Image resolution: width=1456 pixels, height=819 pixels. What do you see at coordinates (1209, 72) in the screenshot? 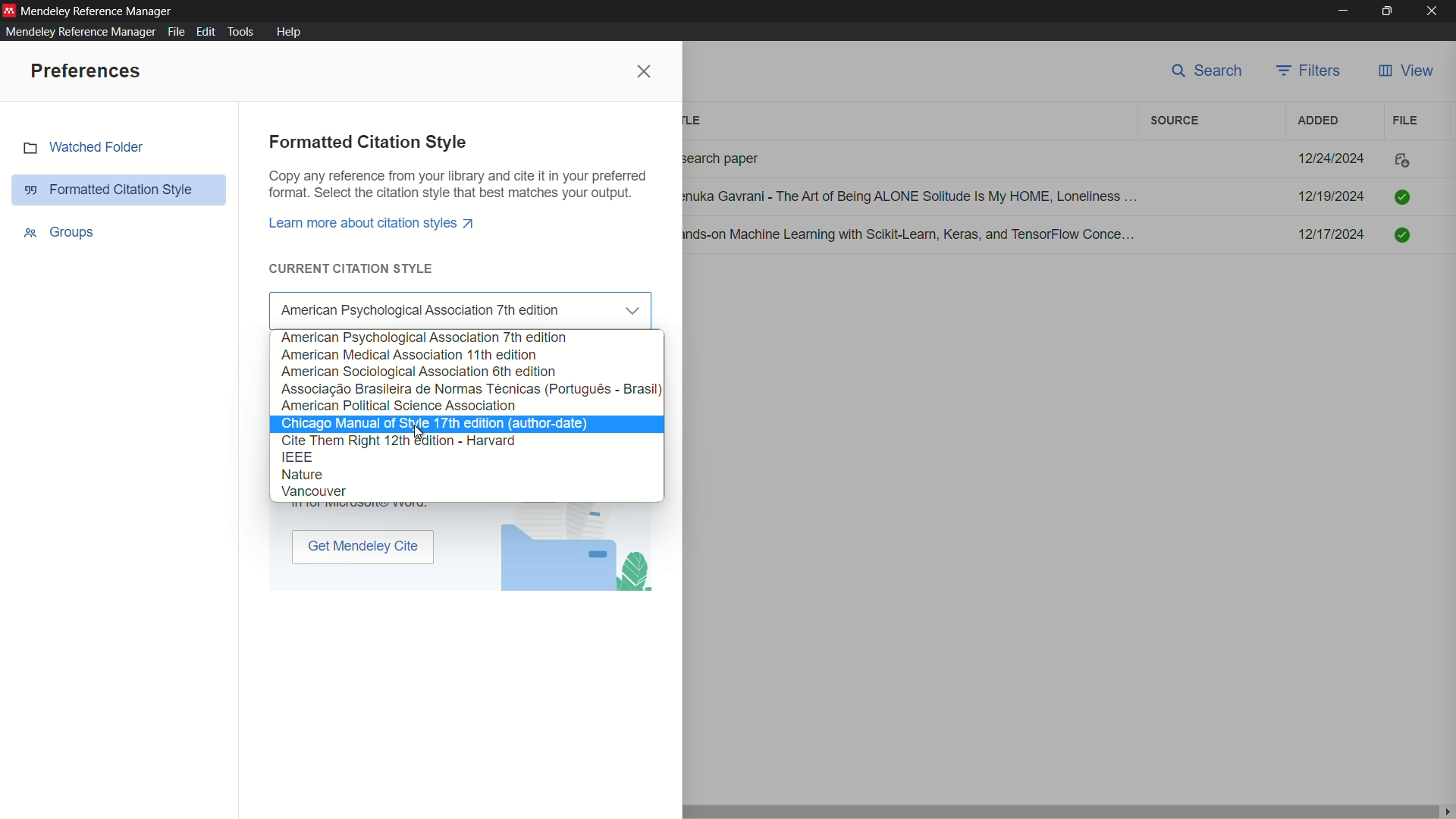
I see `search` at bounding box center [1209, 72].